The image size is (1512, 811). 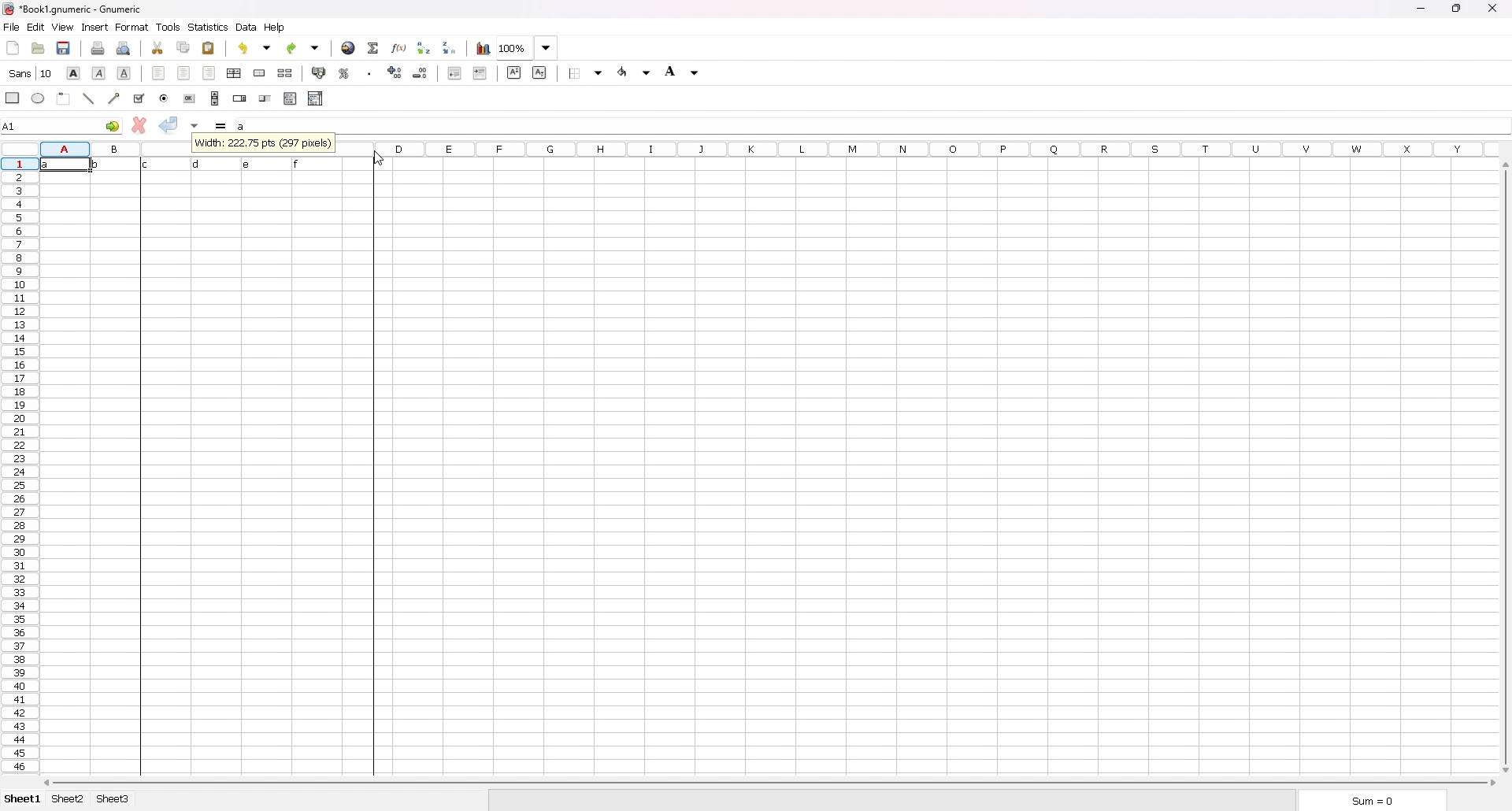 What do you see at coordinates (1456, 9) in the screenshot?
I see `resize` at bounding box center [1456, 9].